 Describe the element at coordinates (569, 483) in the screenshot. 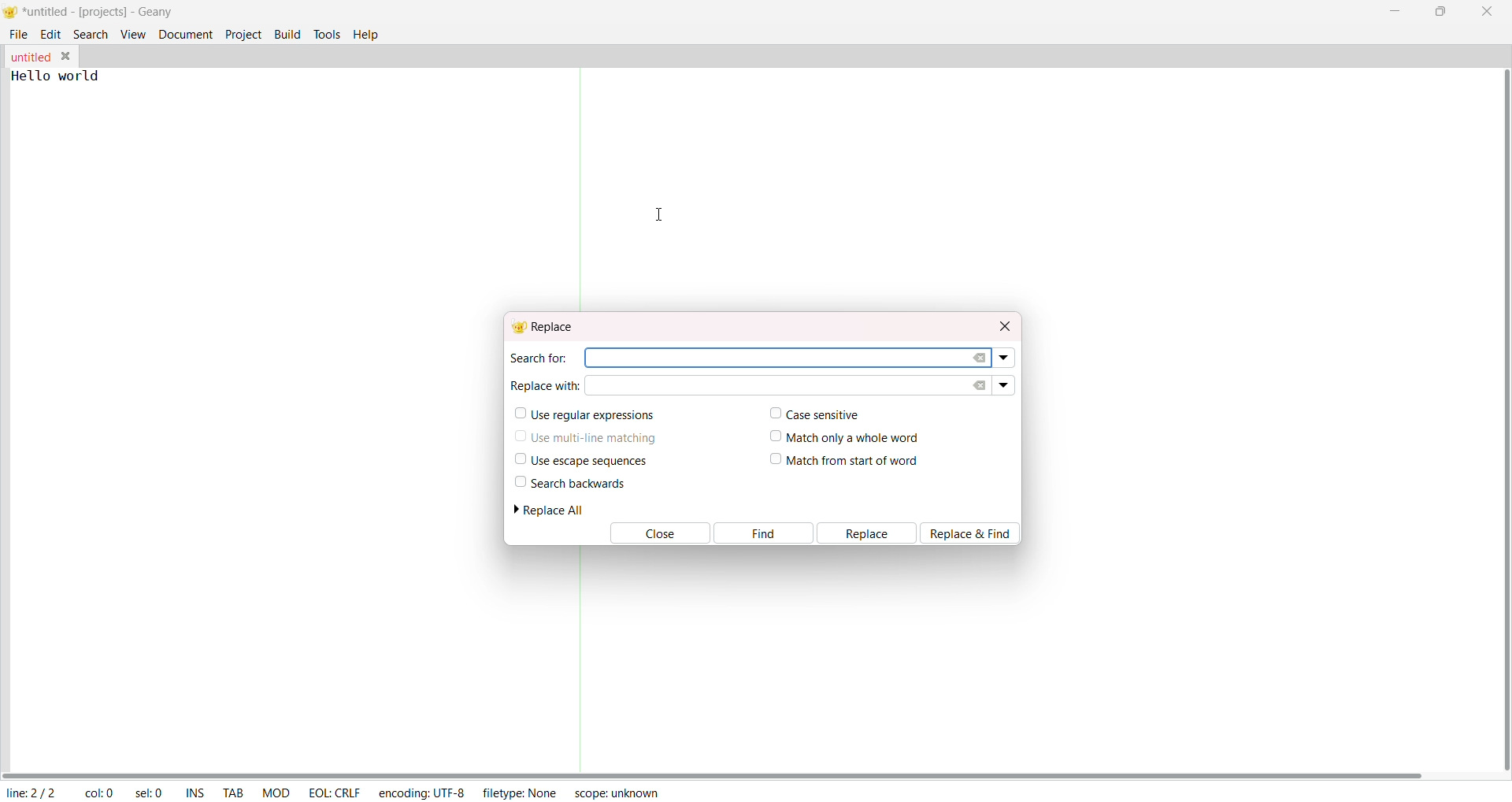

I see `search backwards` at that location.